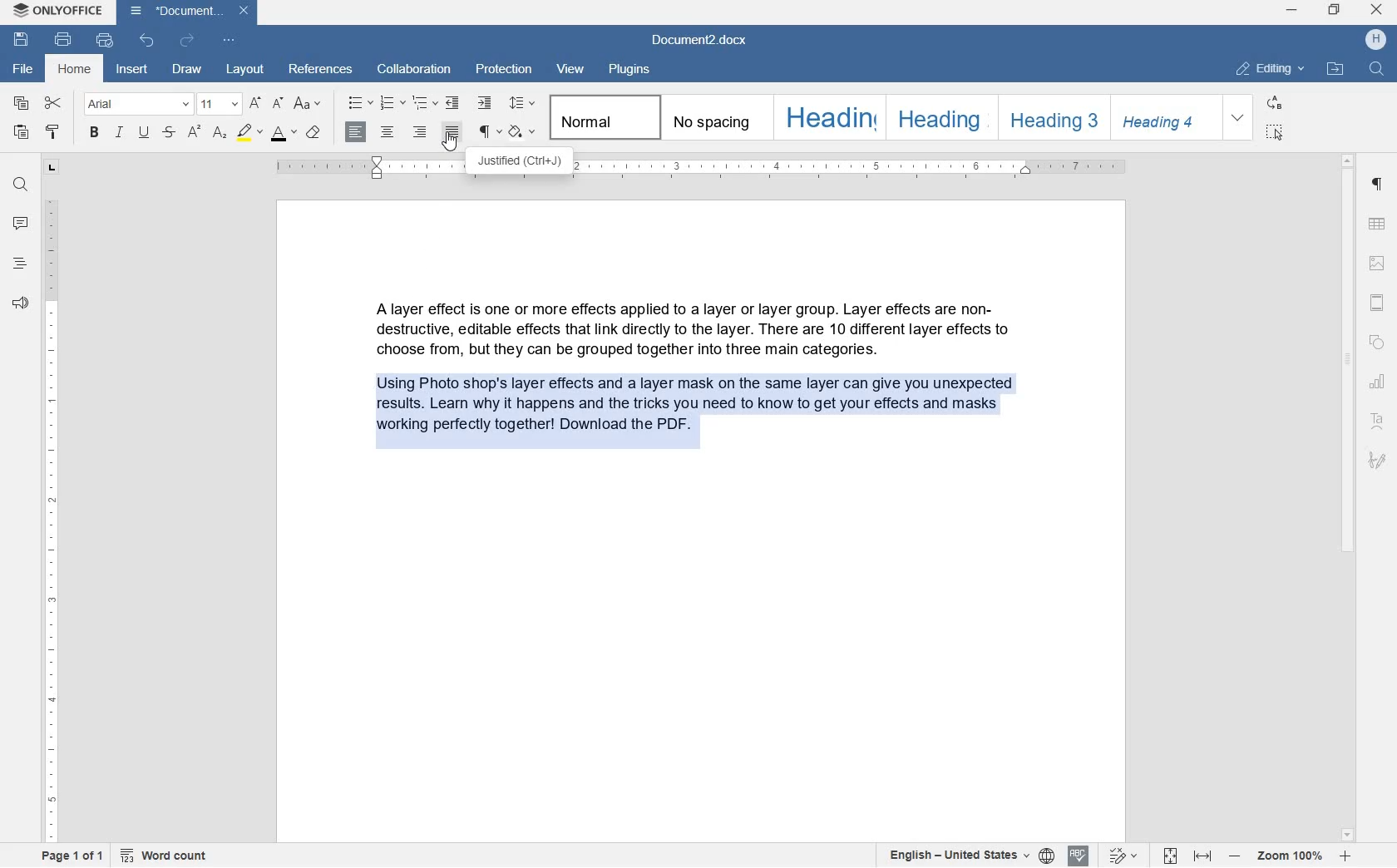 The image size is (1397, 868). What do you see at coordinates (1378, 11) in the screenshot?
I see `close` at bounding box center [1378, 11].